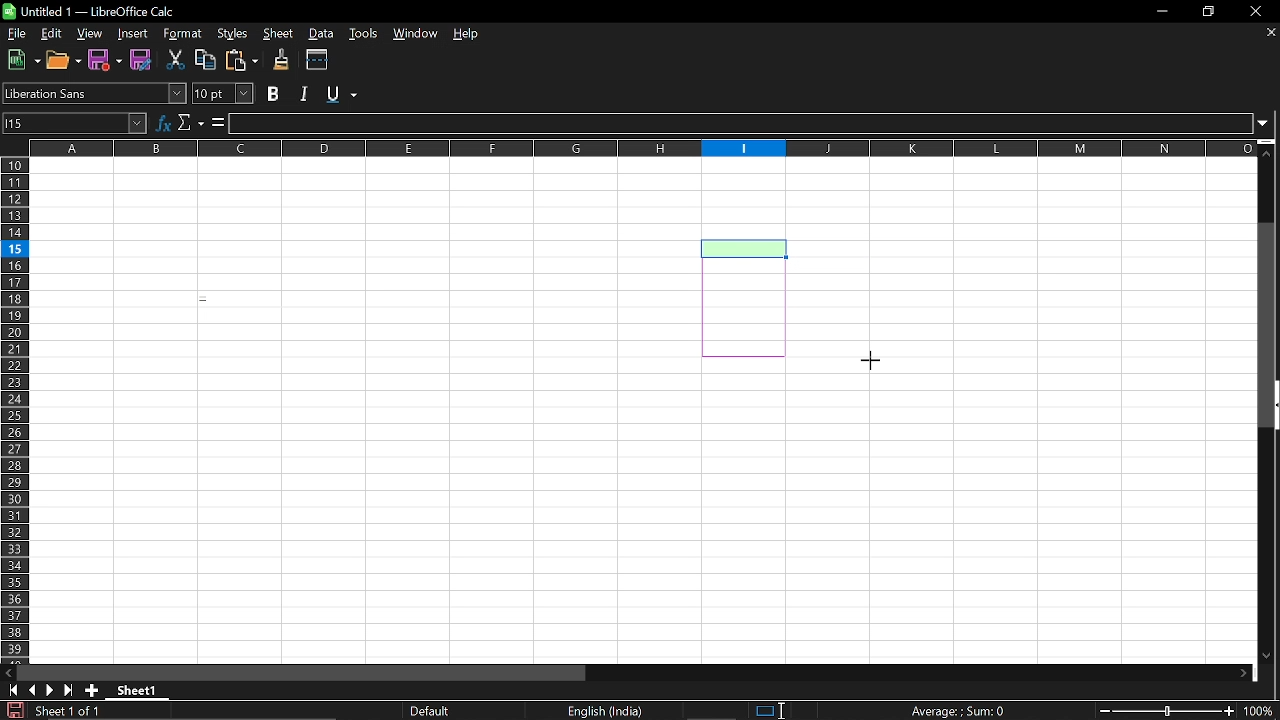 This screenshot has height=720, width=1280. Describe the element at coordinates (975, 510) in the screenshot. I see `Fillable cells` at that location.